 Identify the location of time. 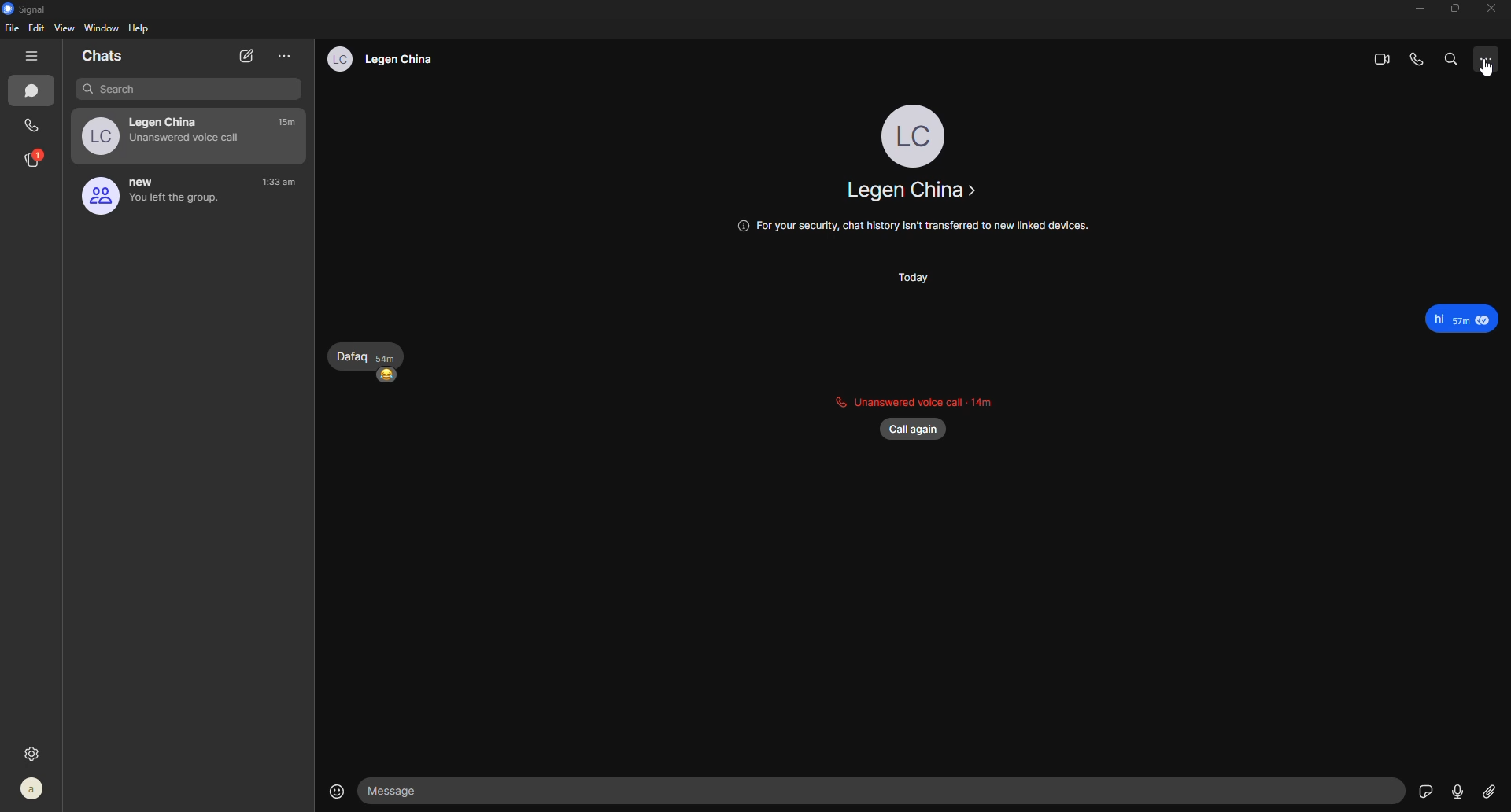
(289, 123).